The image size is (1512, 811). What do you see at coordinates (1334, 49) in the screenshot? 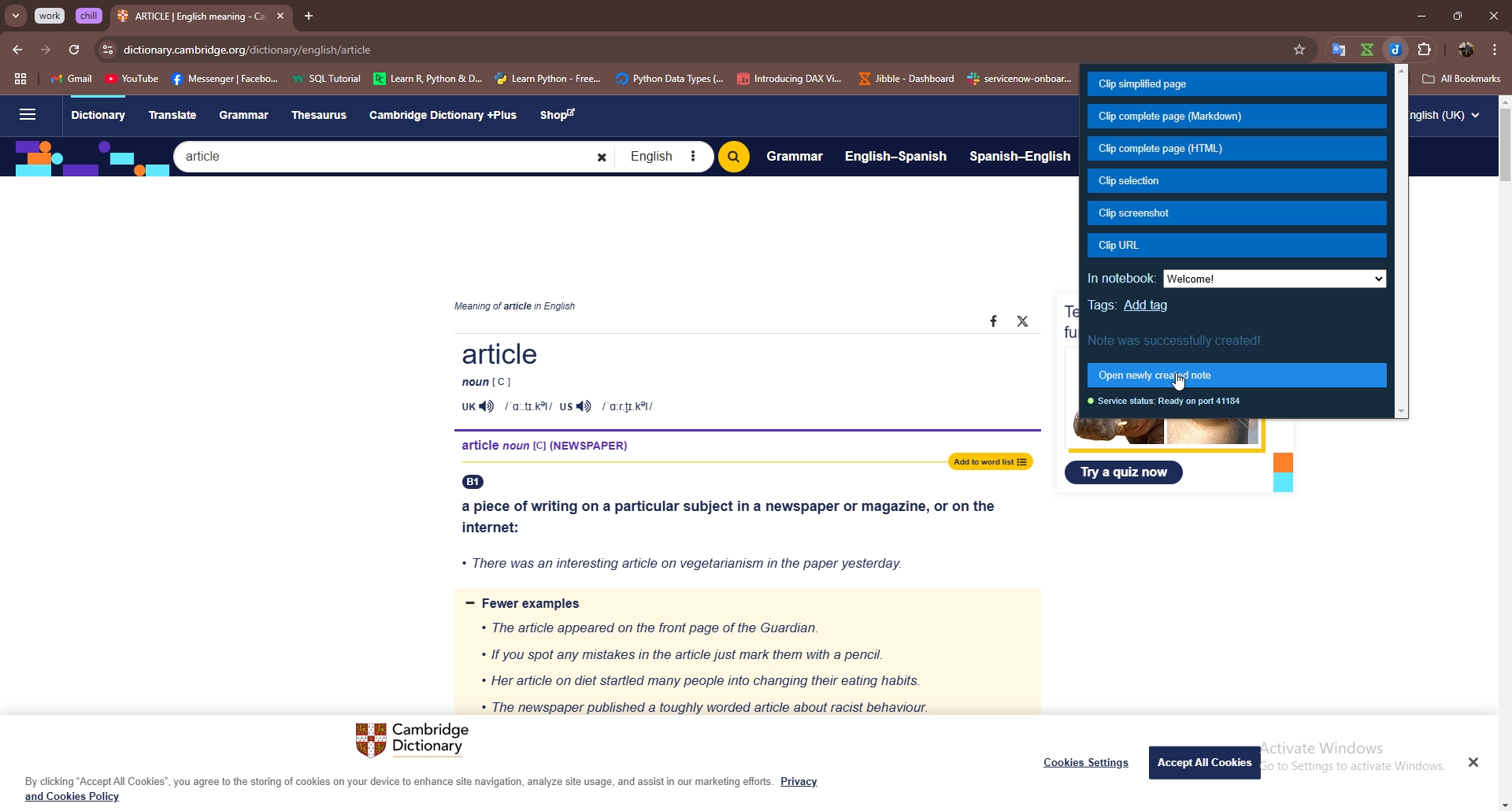
I see `favorites` at bounding box center [1334, 49].